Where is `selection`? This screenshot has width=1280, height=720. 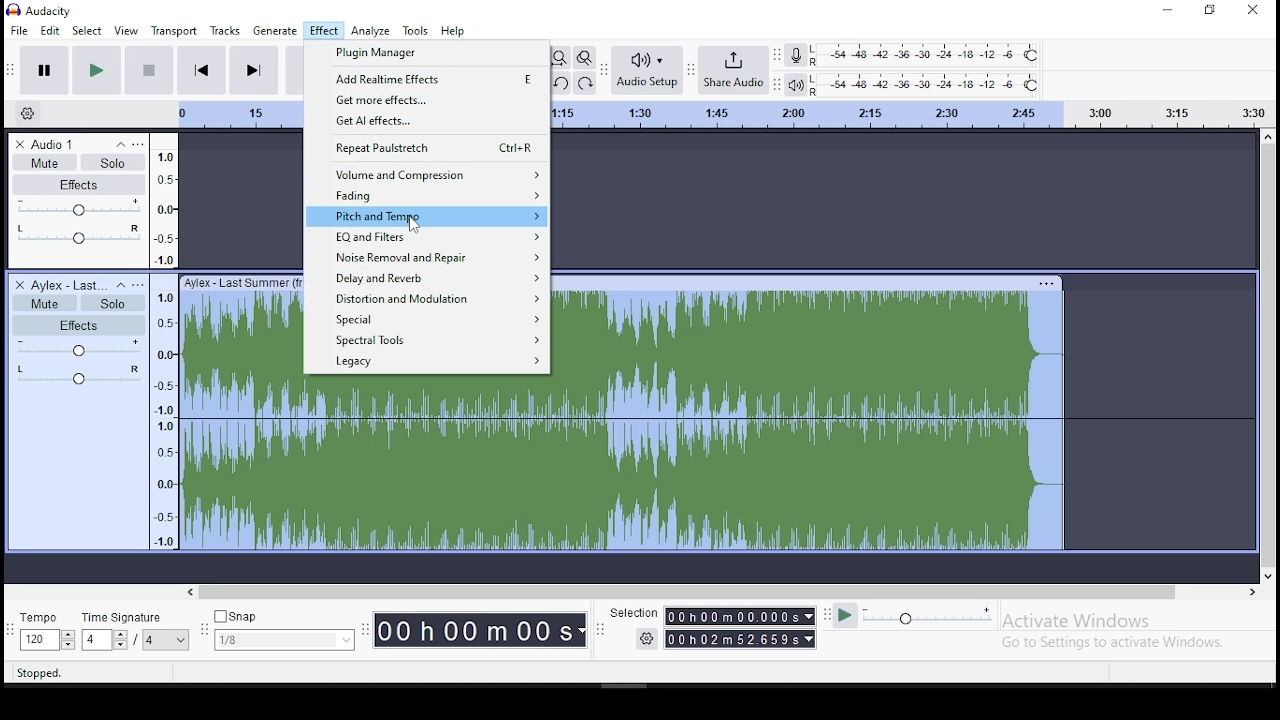 selection is located at coordinates (713, 627).